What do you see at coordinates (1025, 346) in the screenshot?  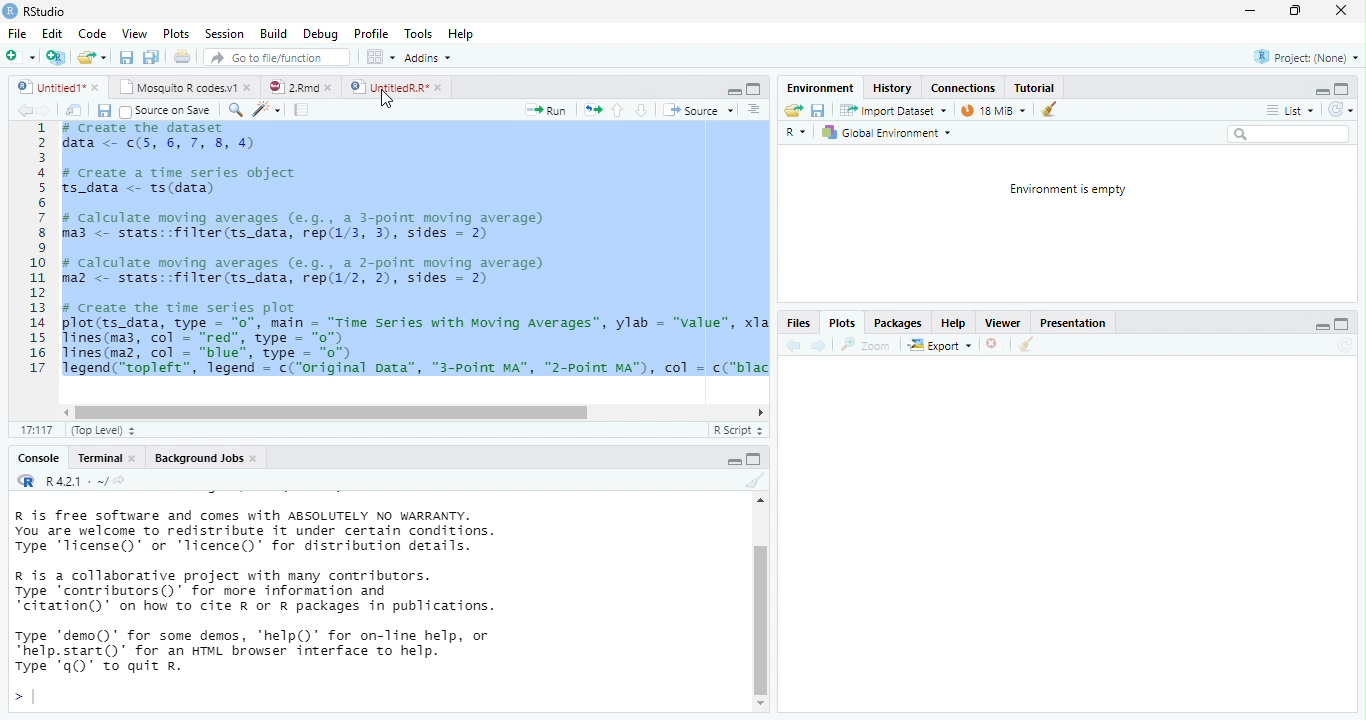 I see `clear` at bounding box center [1025, 346].